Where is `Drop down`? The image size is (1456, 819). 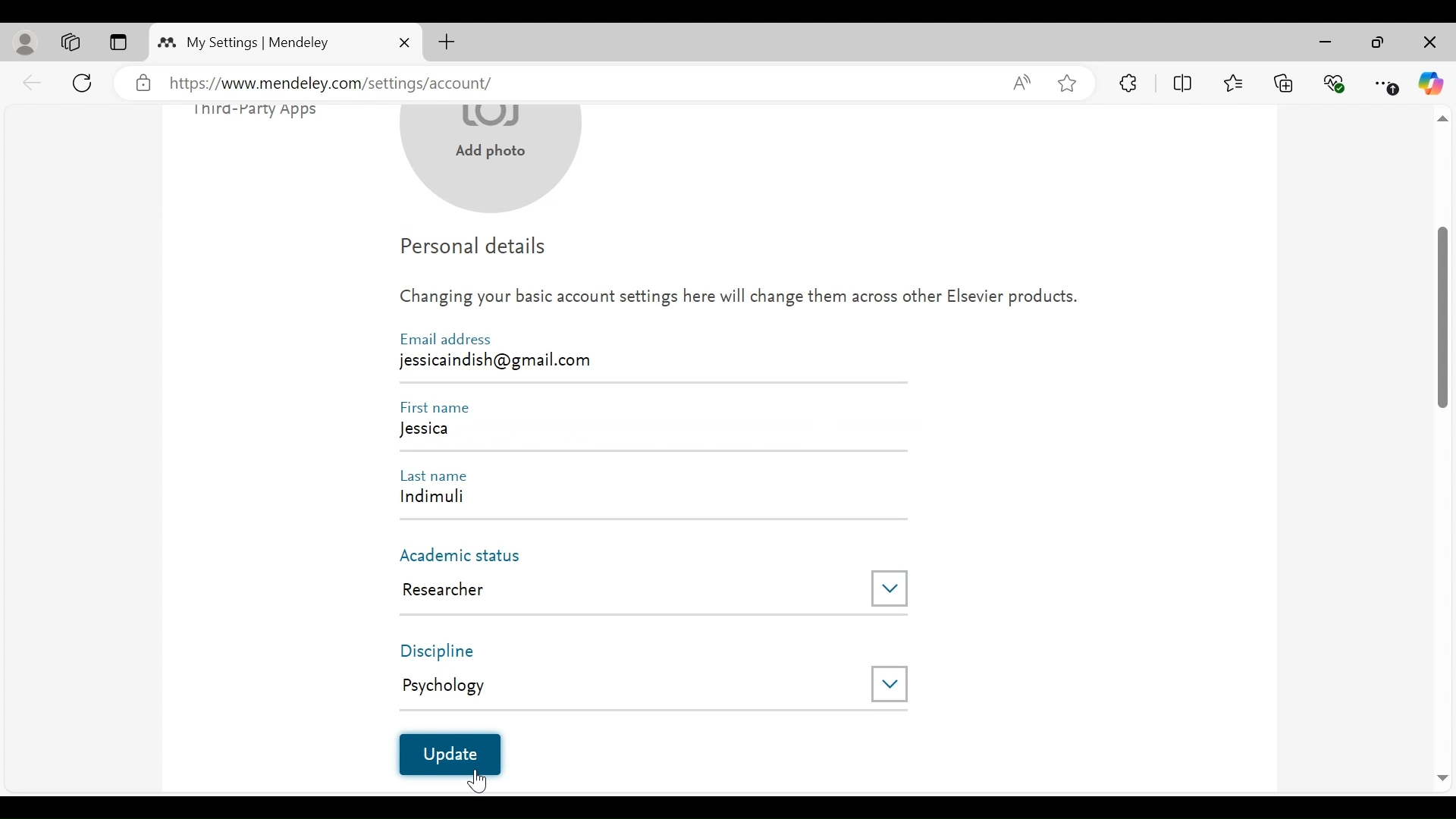
Drop down is located at coordinates (889, 682).